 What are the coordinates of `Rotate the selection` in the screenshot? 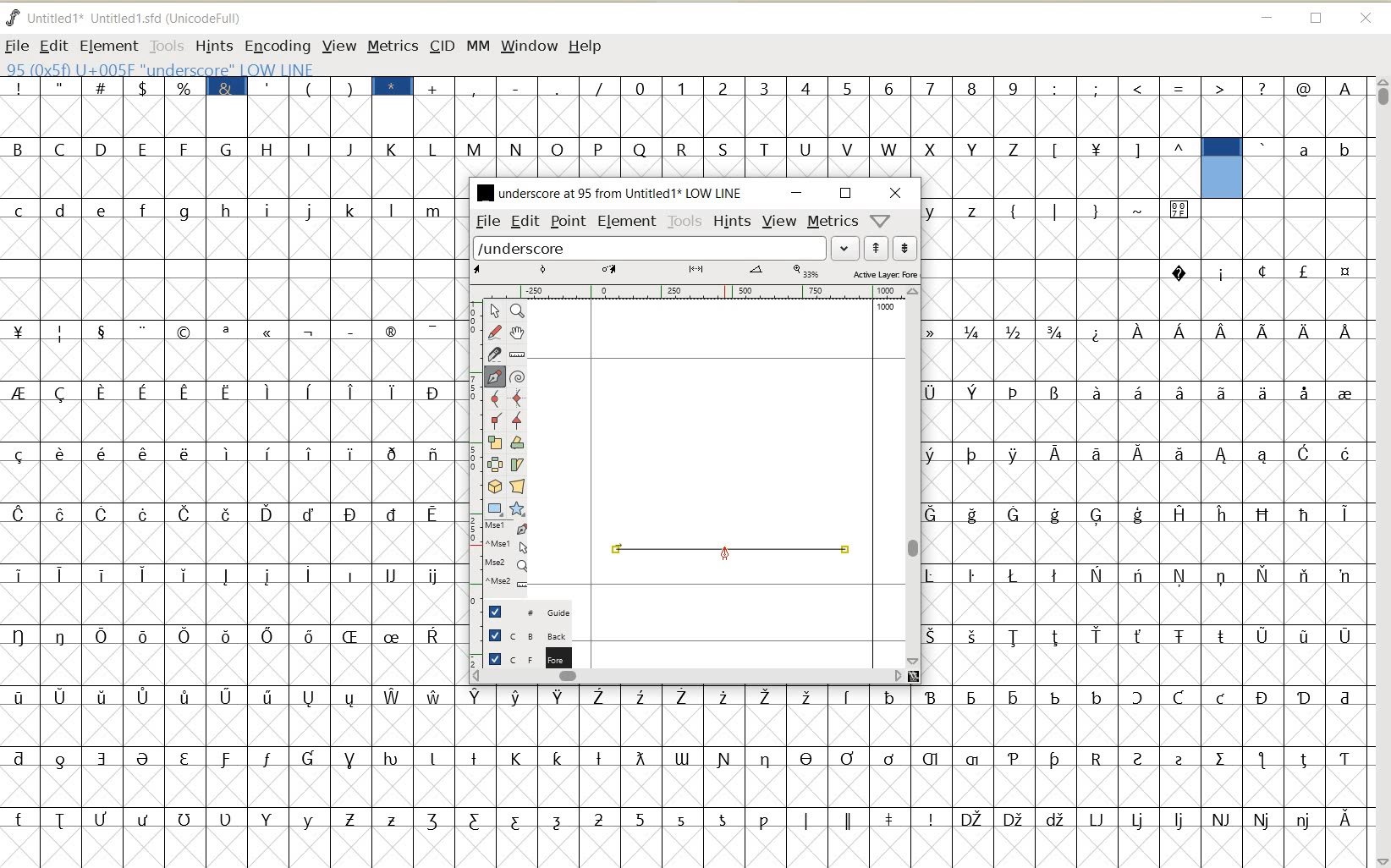 It's located at (518, 442).